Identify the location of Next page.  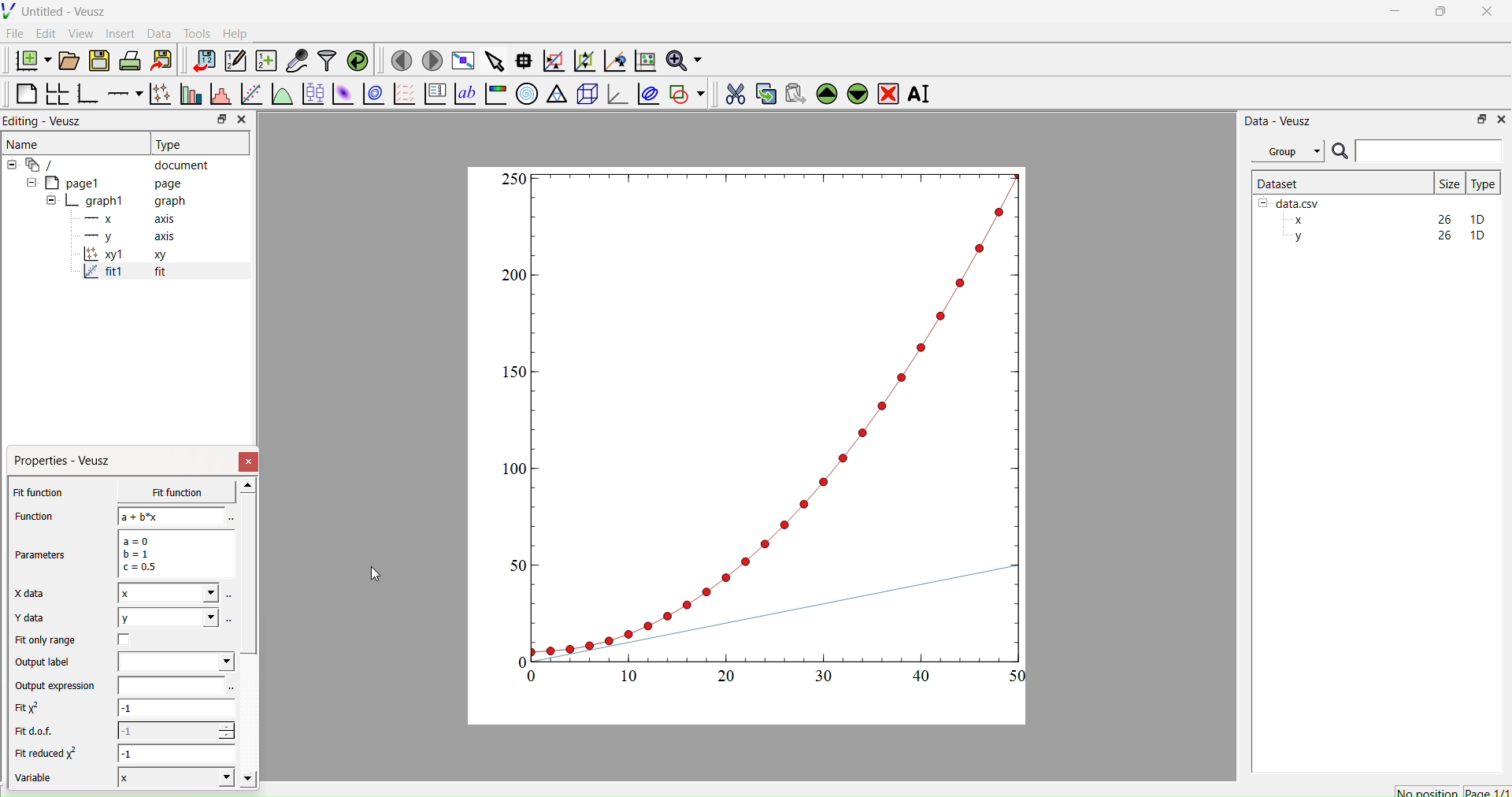
(428, 61).